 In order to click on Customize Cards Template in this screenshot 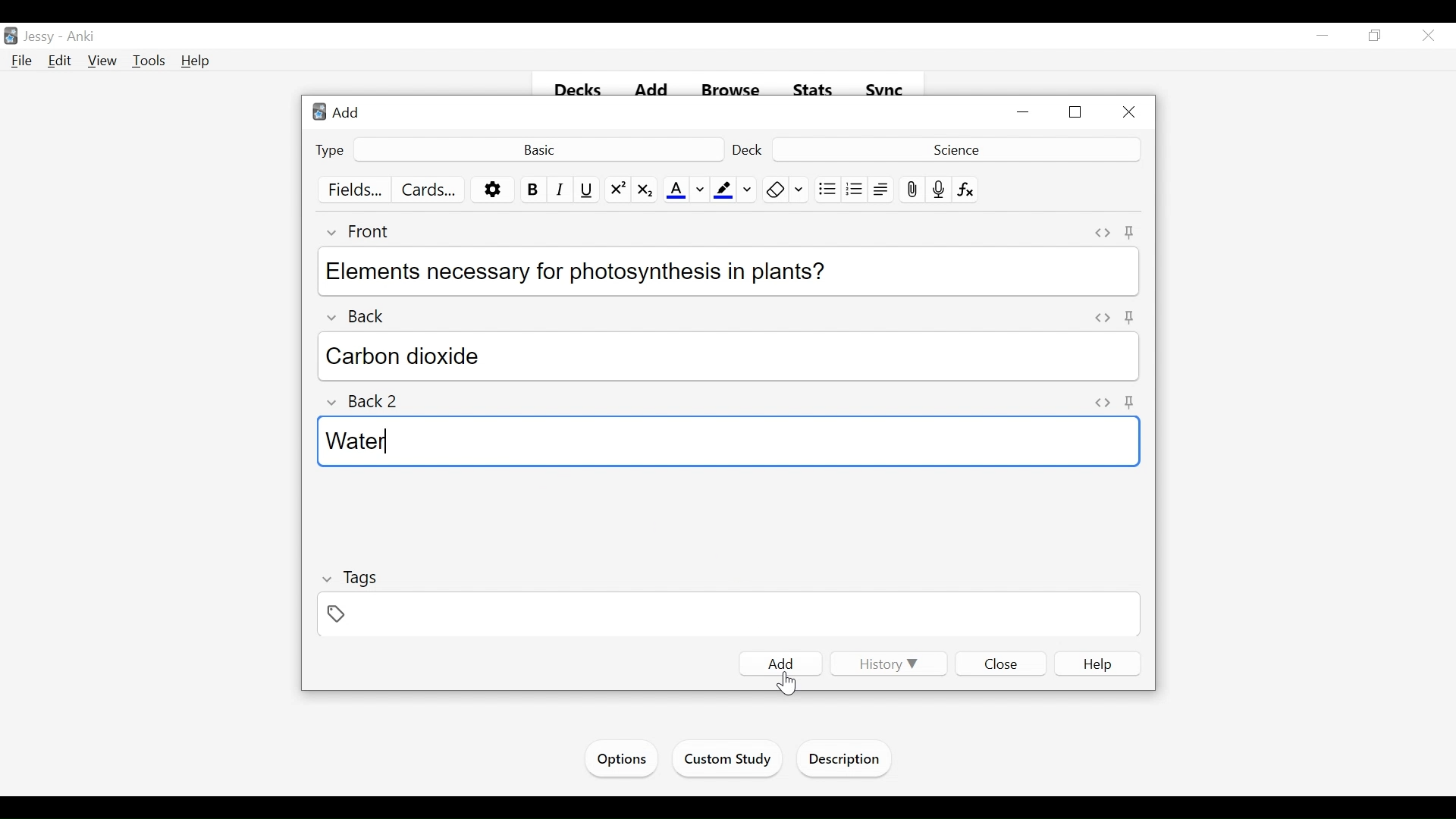, I will do `click(429, 190)`.